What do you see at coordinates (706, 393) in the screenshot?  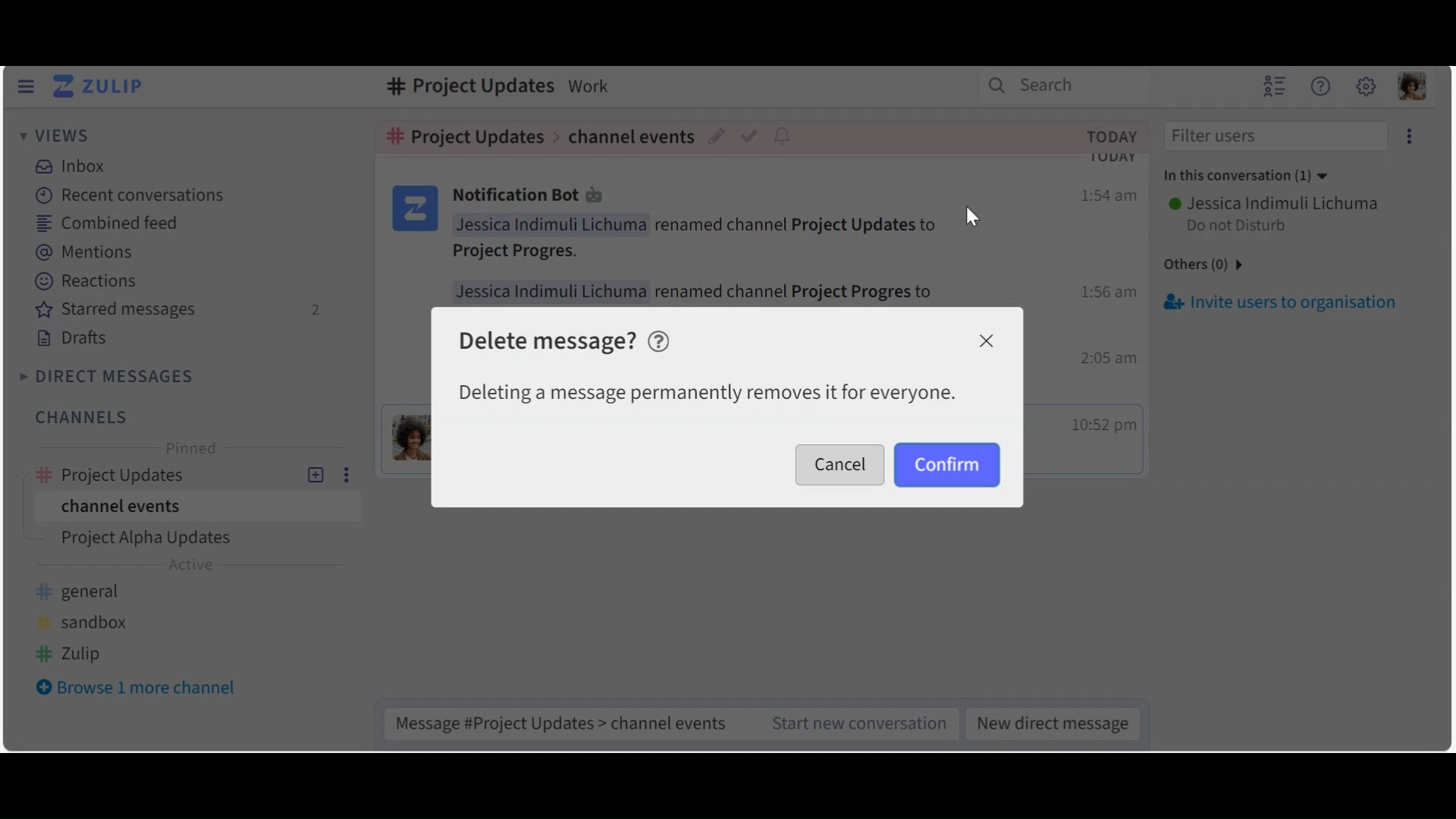 I see `Delete message prompt` at bounding box center [706, 393].